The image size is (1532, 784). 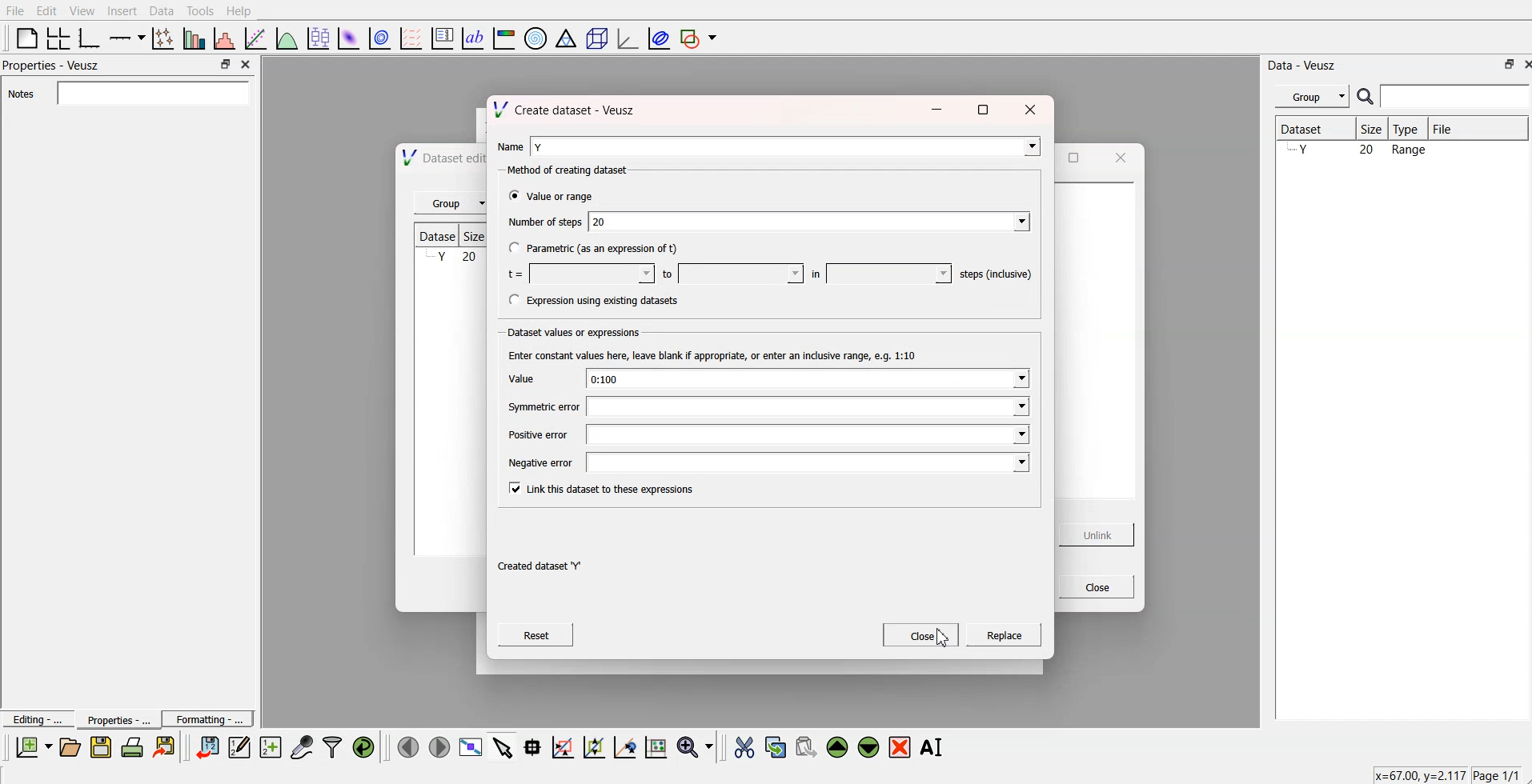 I want to click on (Expression using existing datasets., so click(x=593, y=301).